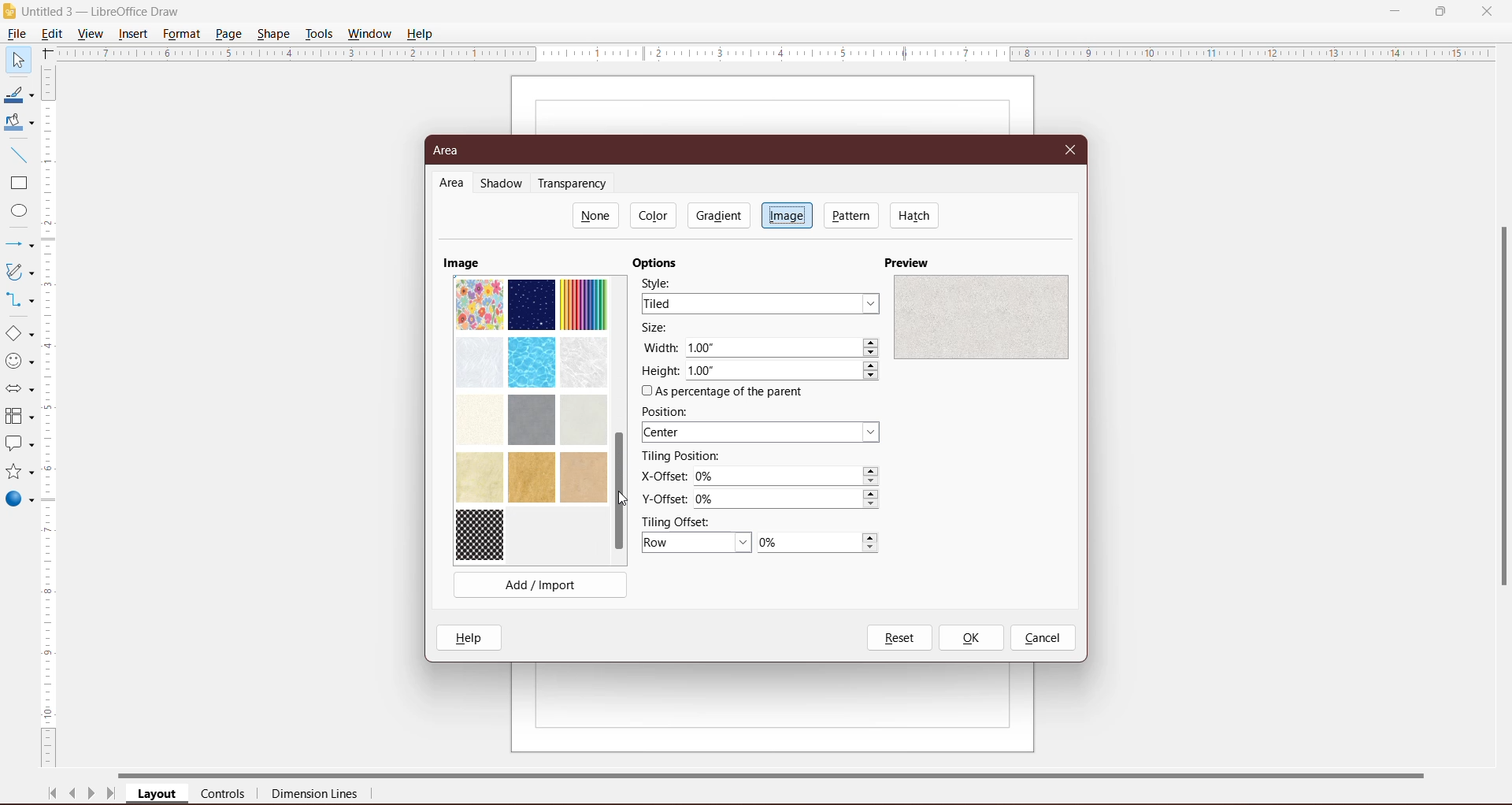 Image resolution: width=1512 pixels, height=805 pixels. I want to click on Callout Shapes, so click(18, 445).